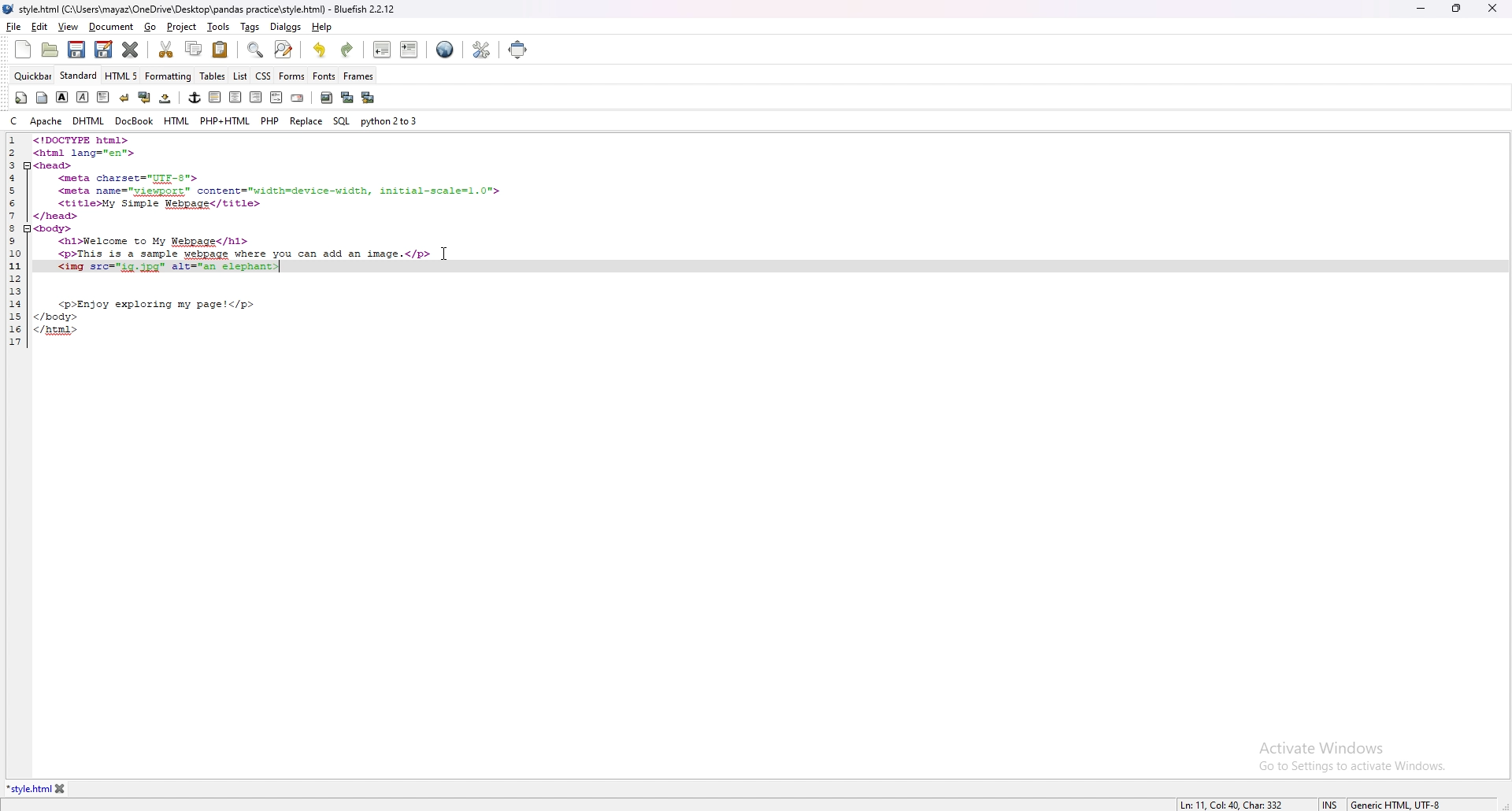 The width and height of the screenshot is (1512, 811). Describe the element at coordinates (381, 50) in the screenshot. I see `unindent` at that location.